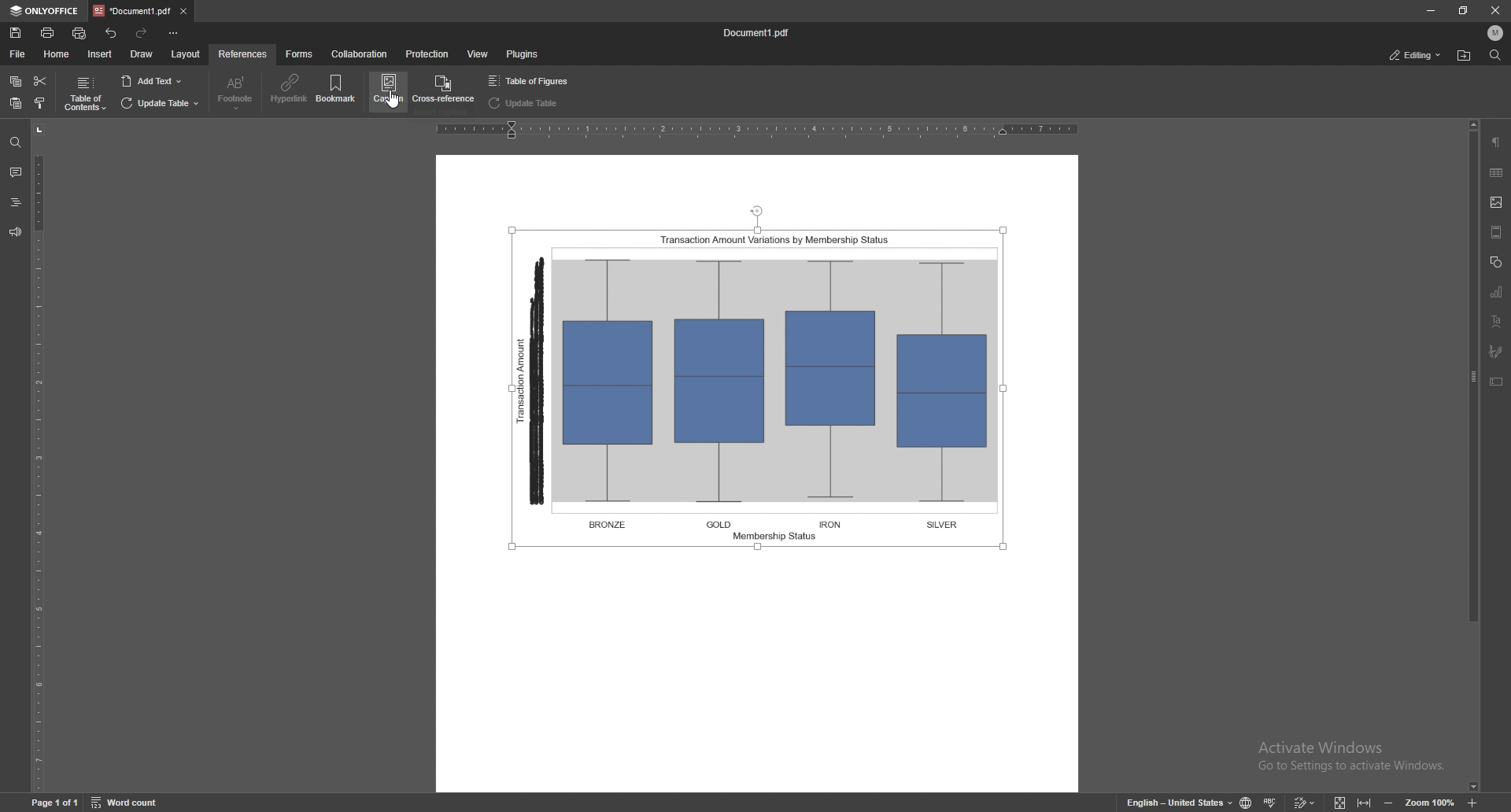 The height and width of the screenshot is (812, 1511). I want to click on cut, so click(40, 82).